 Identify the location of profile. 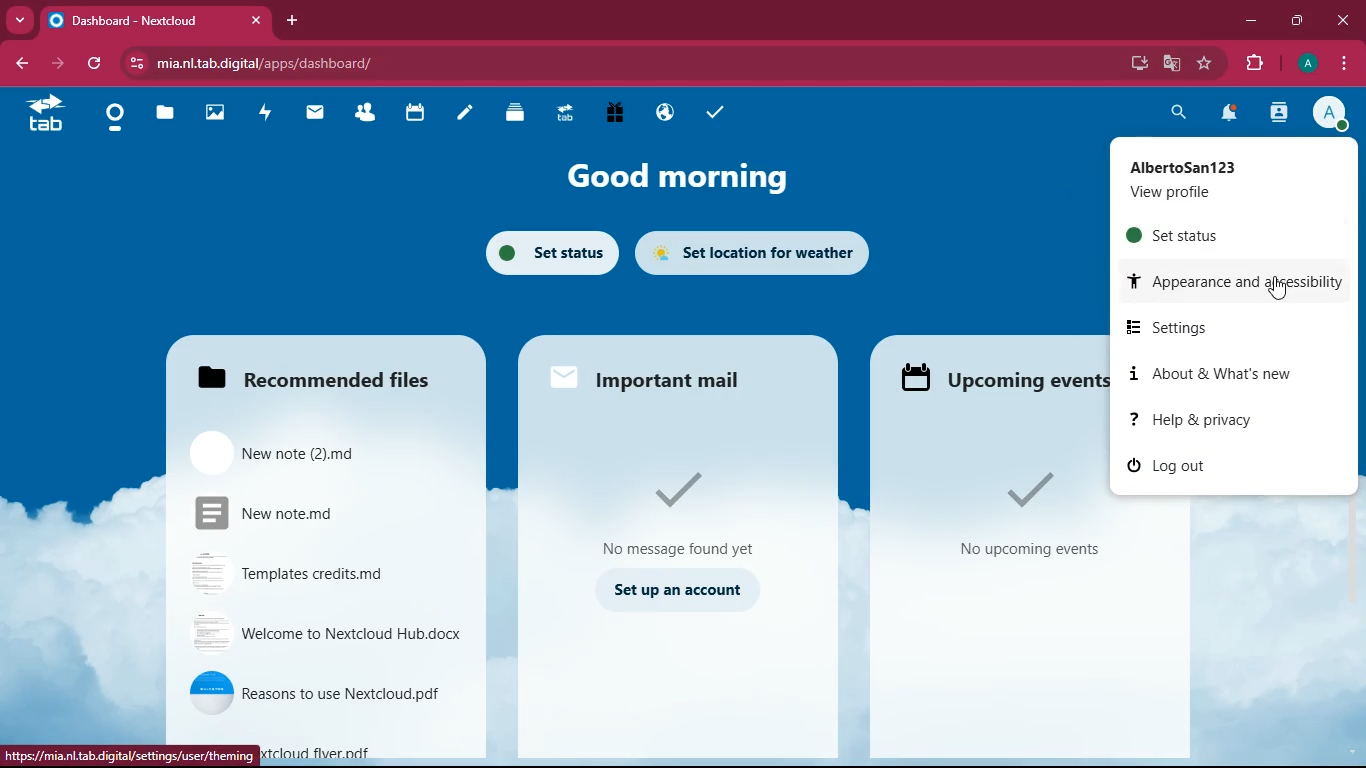
(1326, 112).